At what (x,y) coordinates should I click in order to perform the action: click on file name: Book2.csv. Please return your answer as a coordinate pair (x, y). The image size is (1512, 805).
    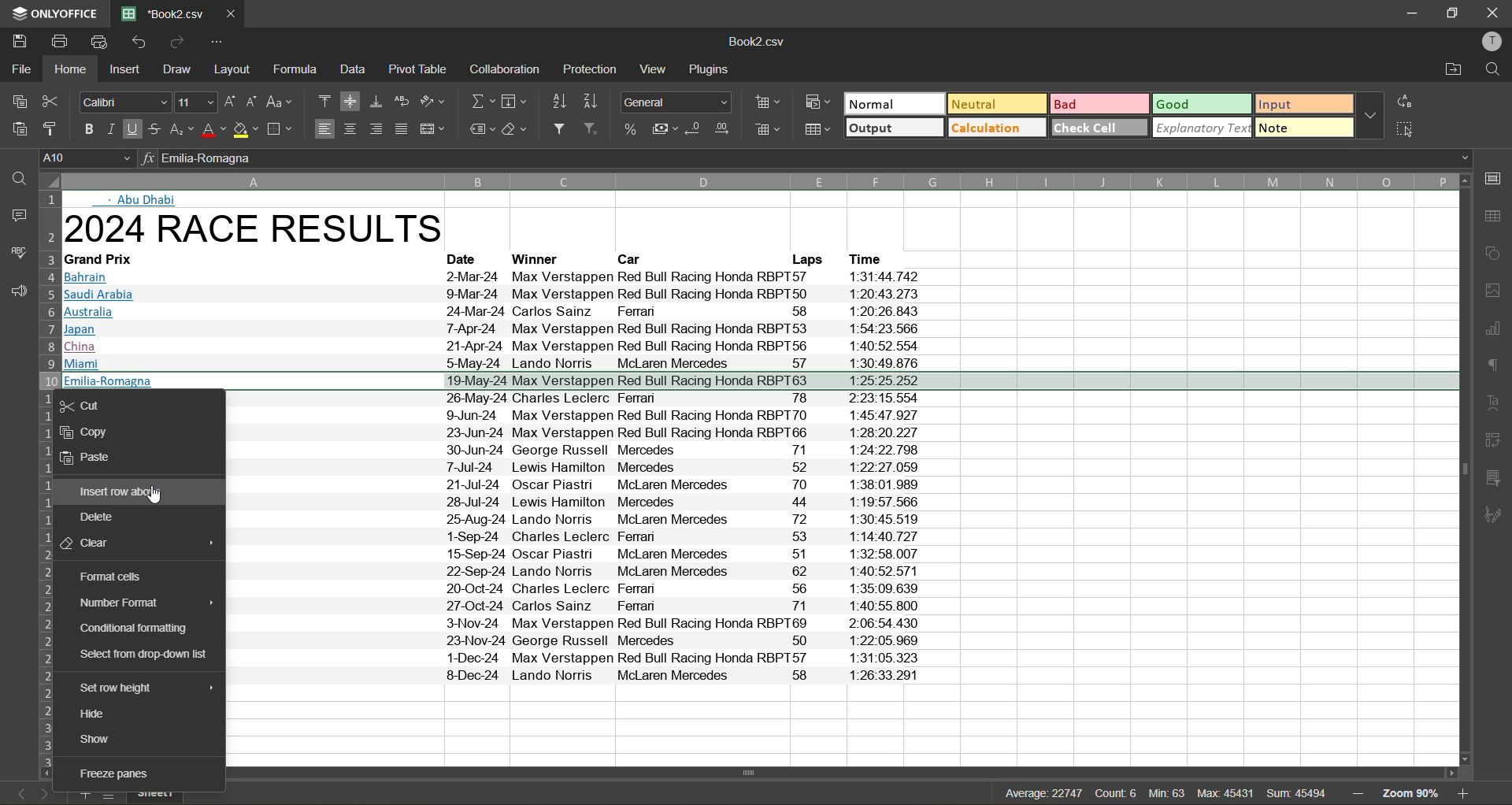
    Looking at the image, I should click on (762, 43).